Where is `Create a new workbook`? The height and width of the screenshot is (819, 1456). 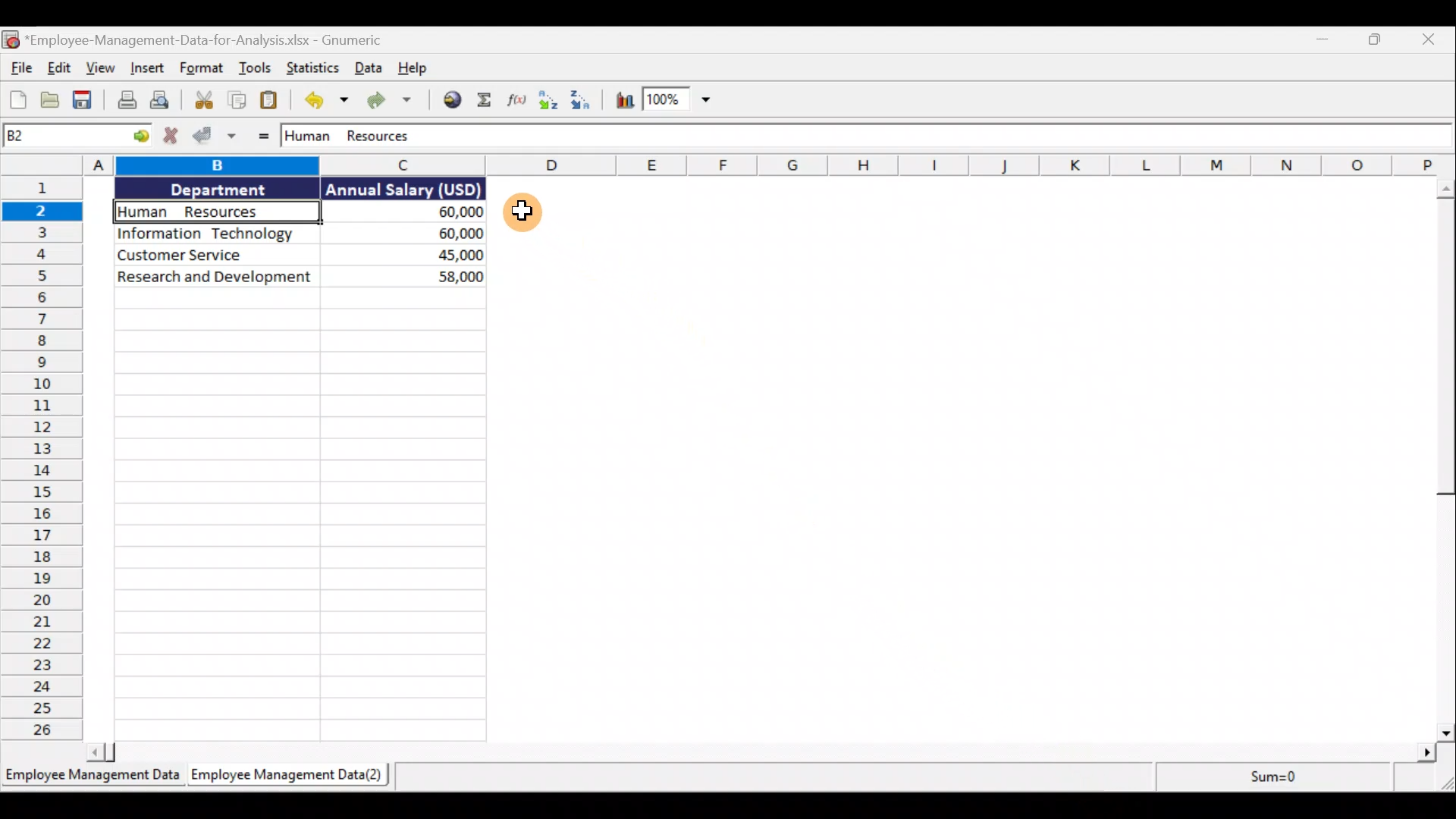 Create a new workbook is located at coordinates (17, 100).